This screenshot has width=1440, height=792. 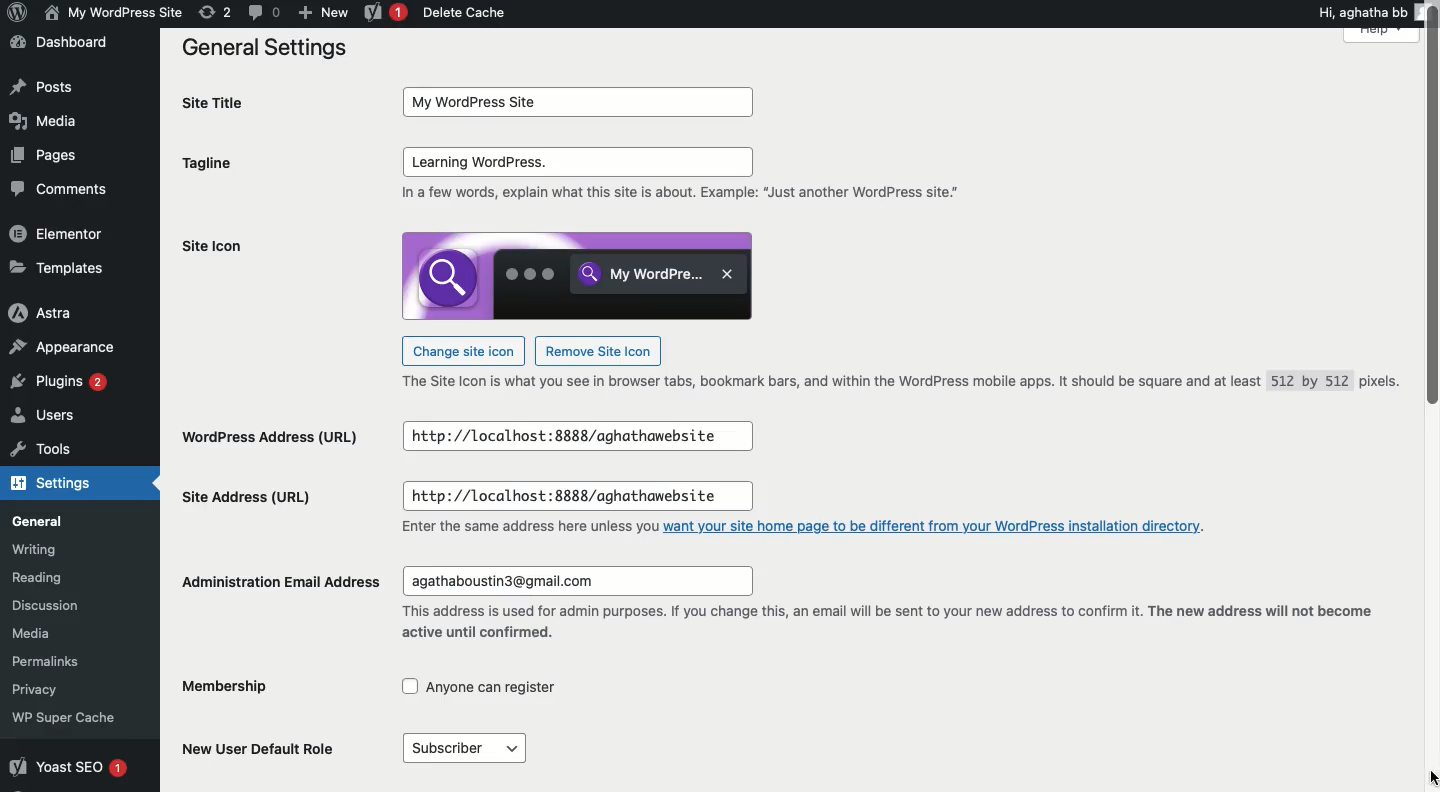 What do you see at coordinates (574, 164) in the screenshot?
I see `Learning WordPress.` at bounding box center [574, 164].